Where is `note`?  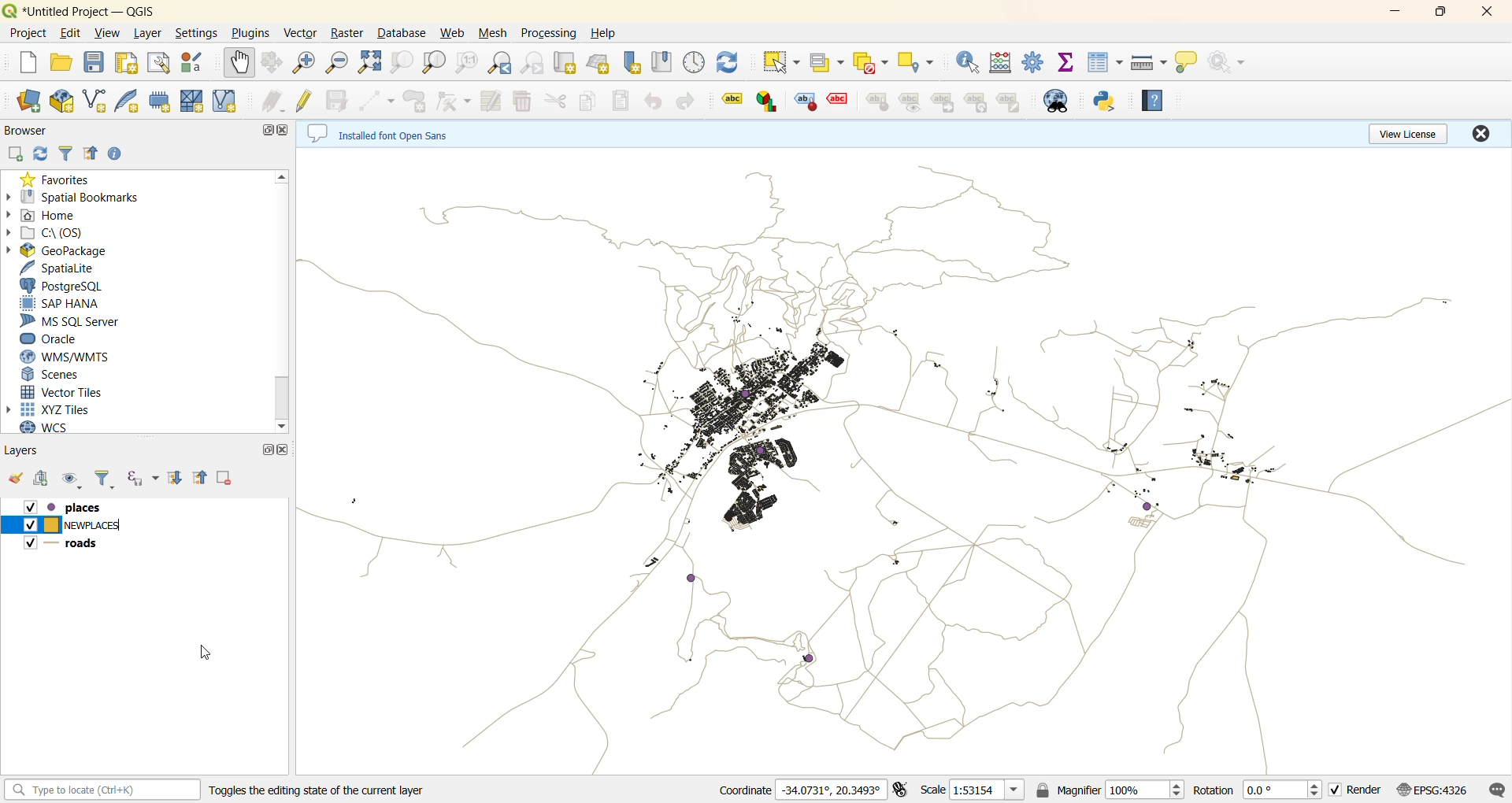
note is located at coordinates (1010, 102).